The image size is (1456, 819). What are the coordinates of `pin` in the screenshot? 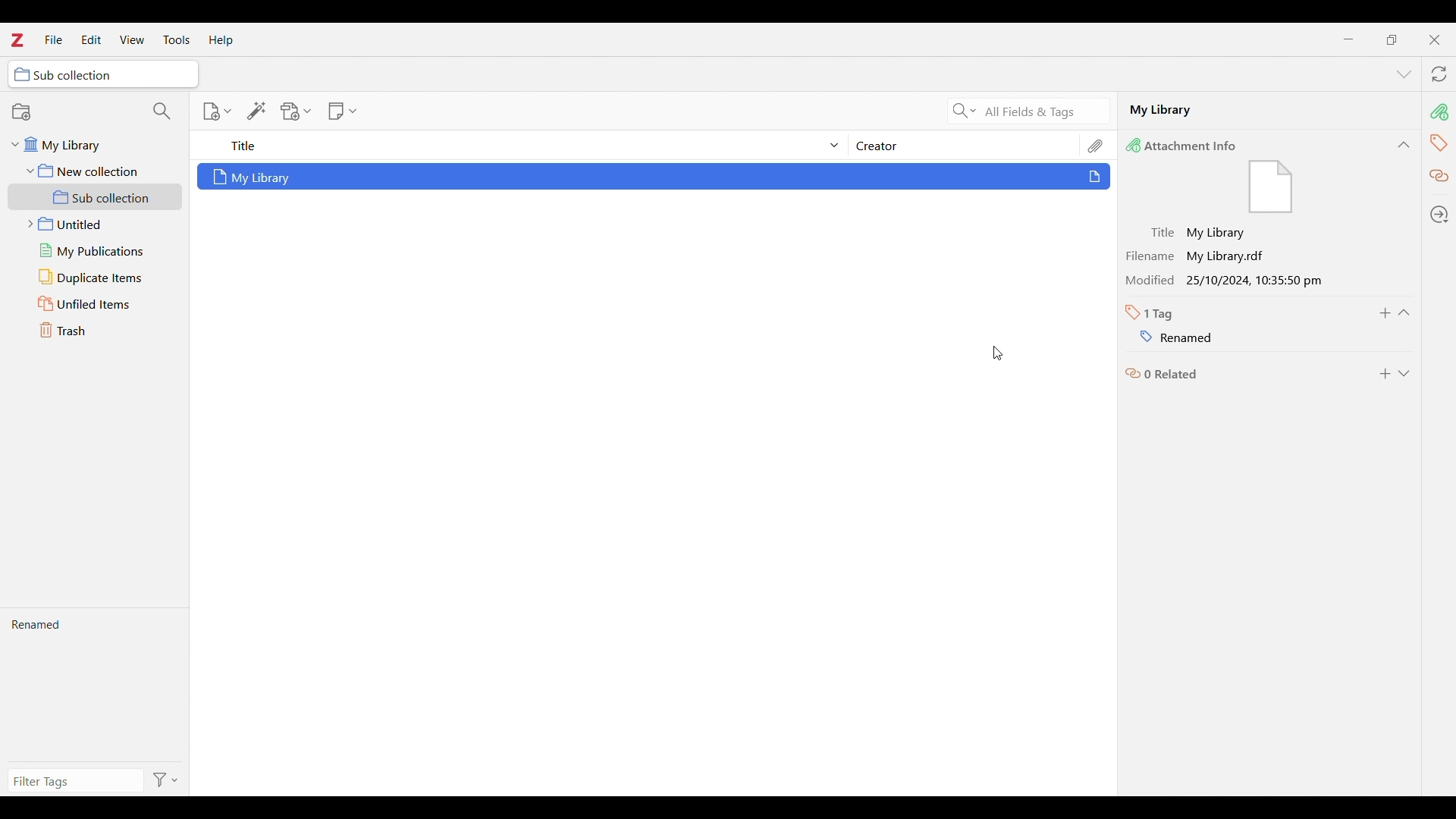 It's located at (1439, 111).